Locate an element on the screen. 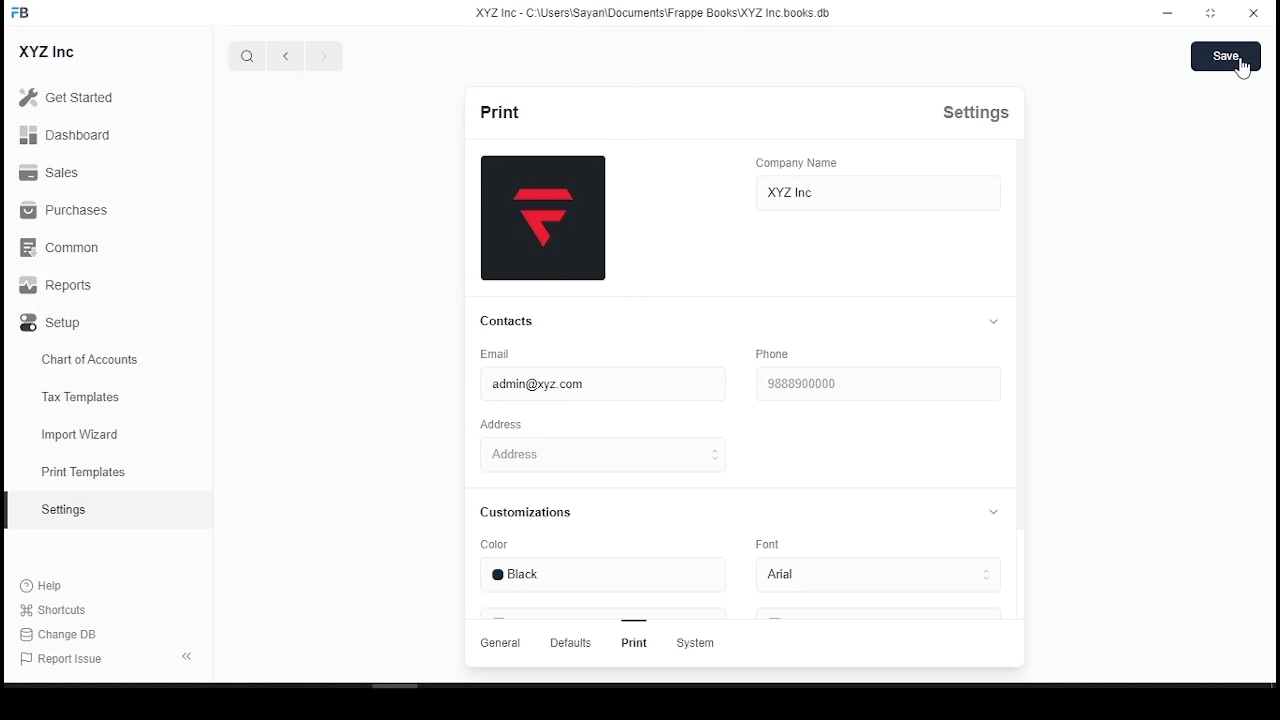 The width and height of the screenshot is (1280, 720). arial is located at coordinates (796, 575).